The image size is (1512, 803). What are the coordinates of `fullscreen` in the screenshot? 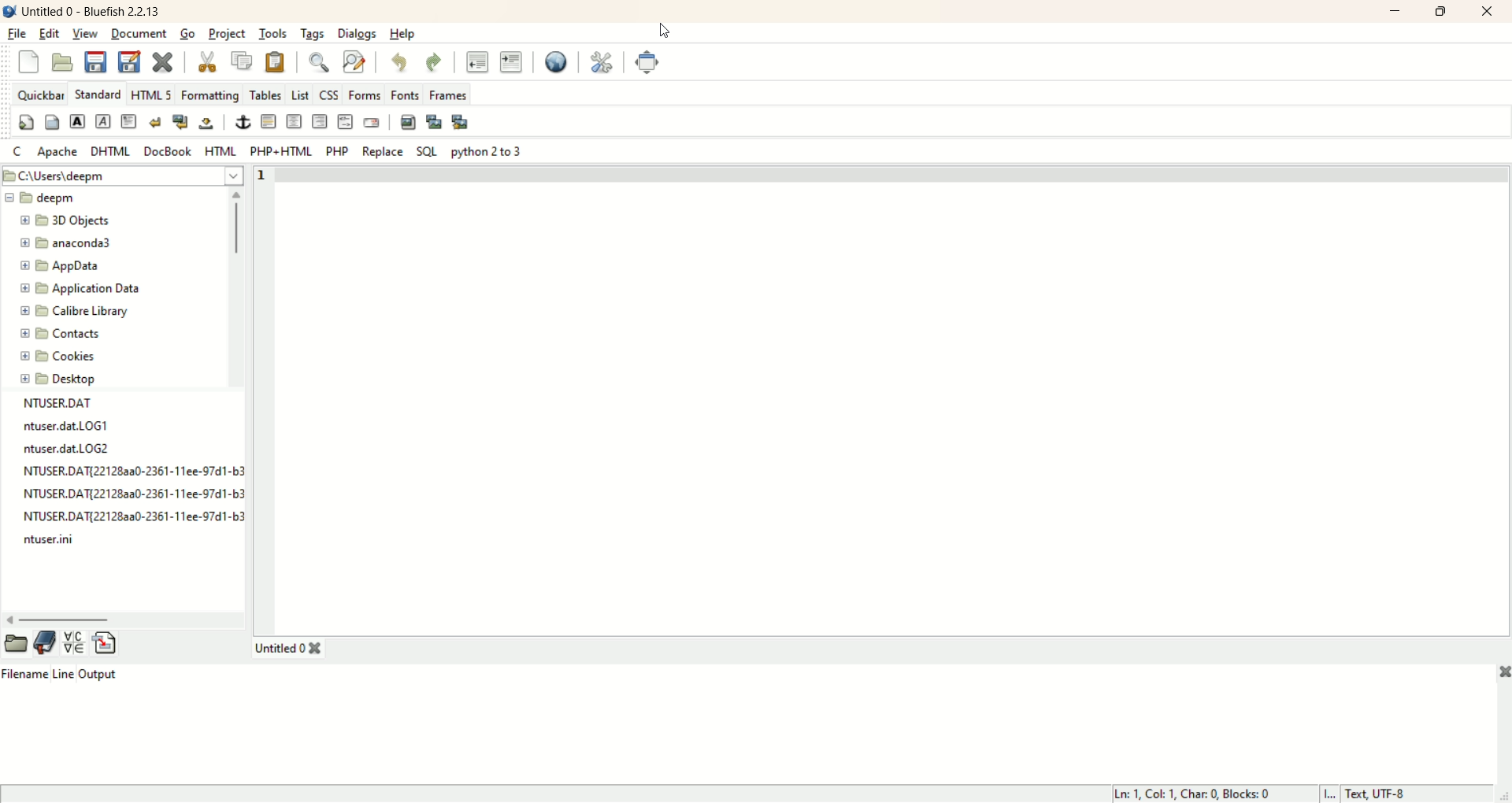 It's located at (645, 61).